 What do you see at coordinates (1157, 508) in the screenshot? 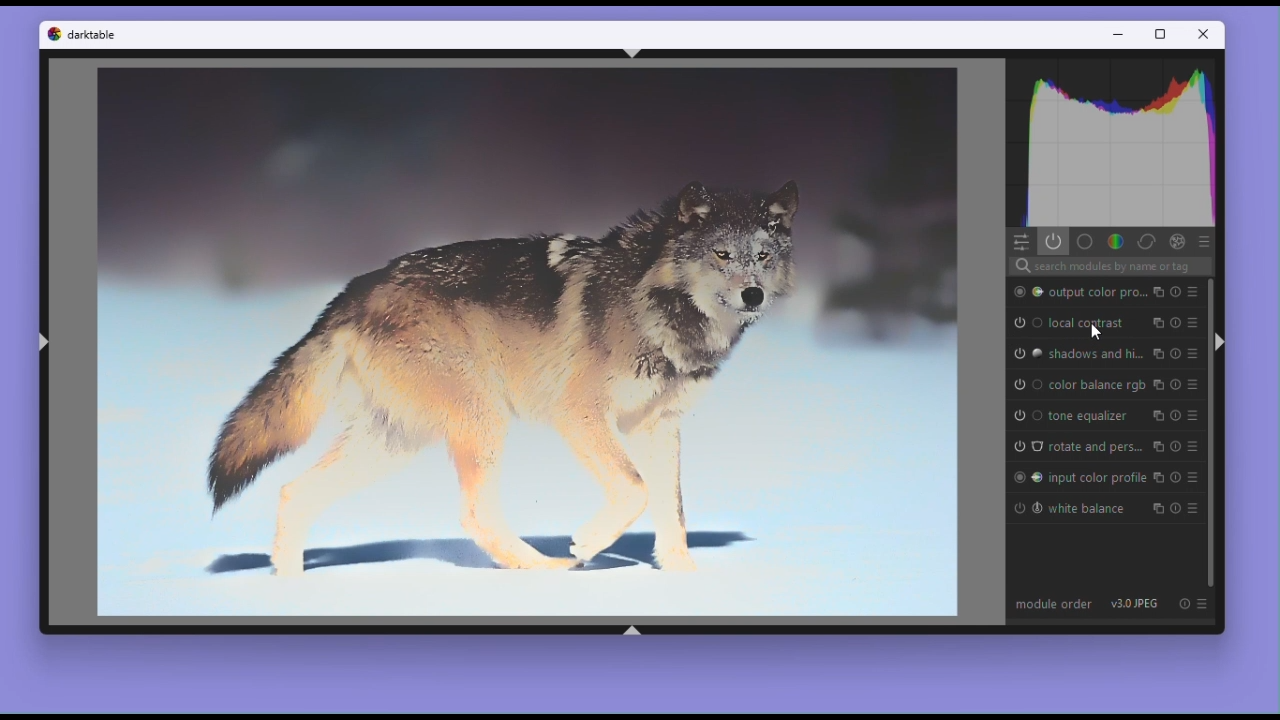
I see `Multiple instance actions` at bounding box center [1157, 508].